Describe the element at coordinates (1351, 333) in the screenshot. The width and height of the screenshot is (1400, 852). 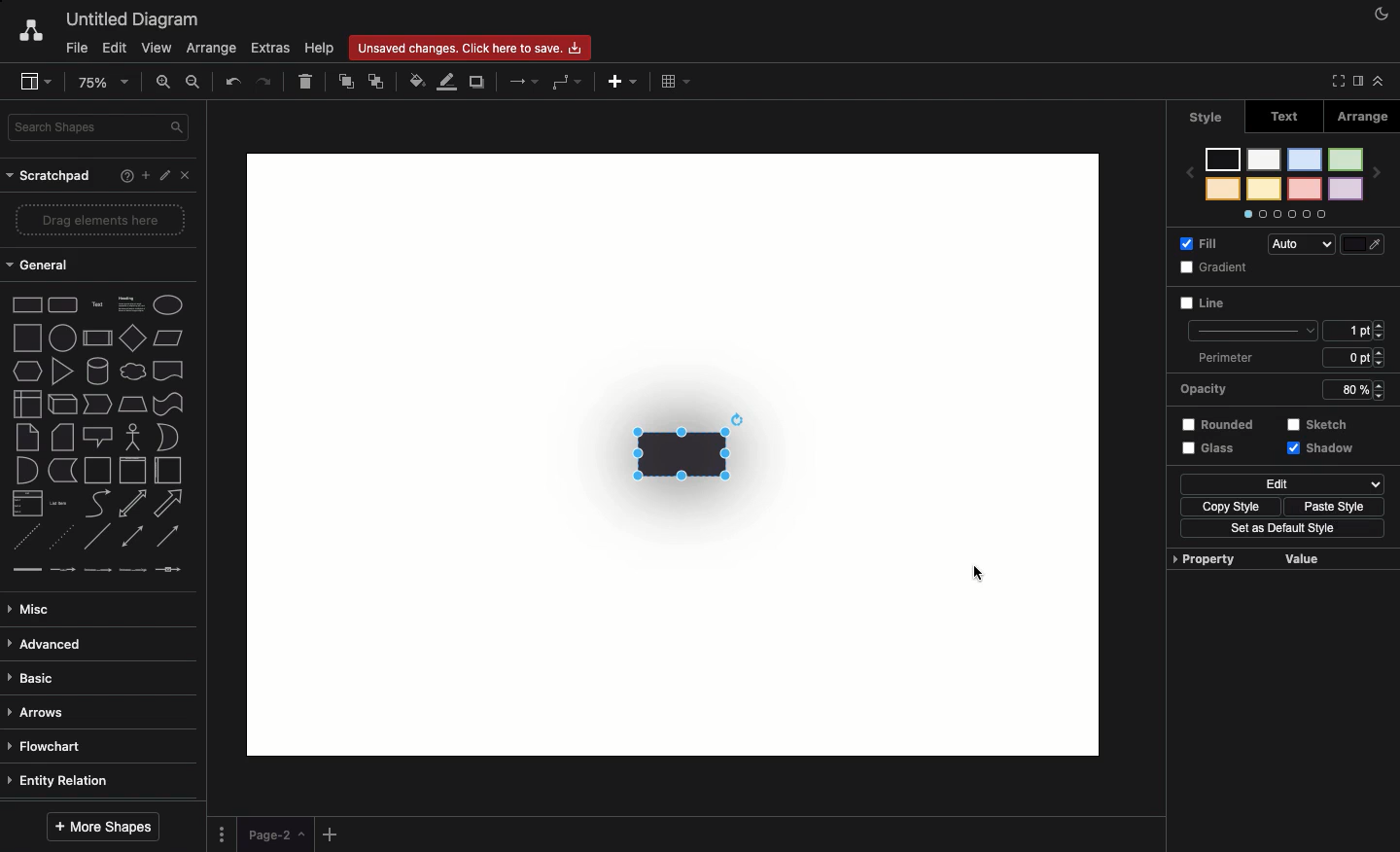
I see `1 pt` at that location.